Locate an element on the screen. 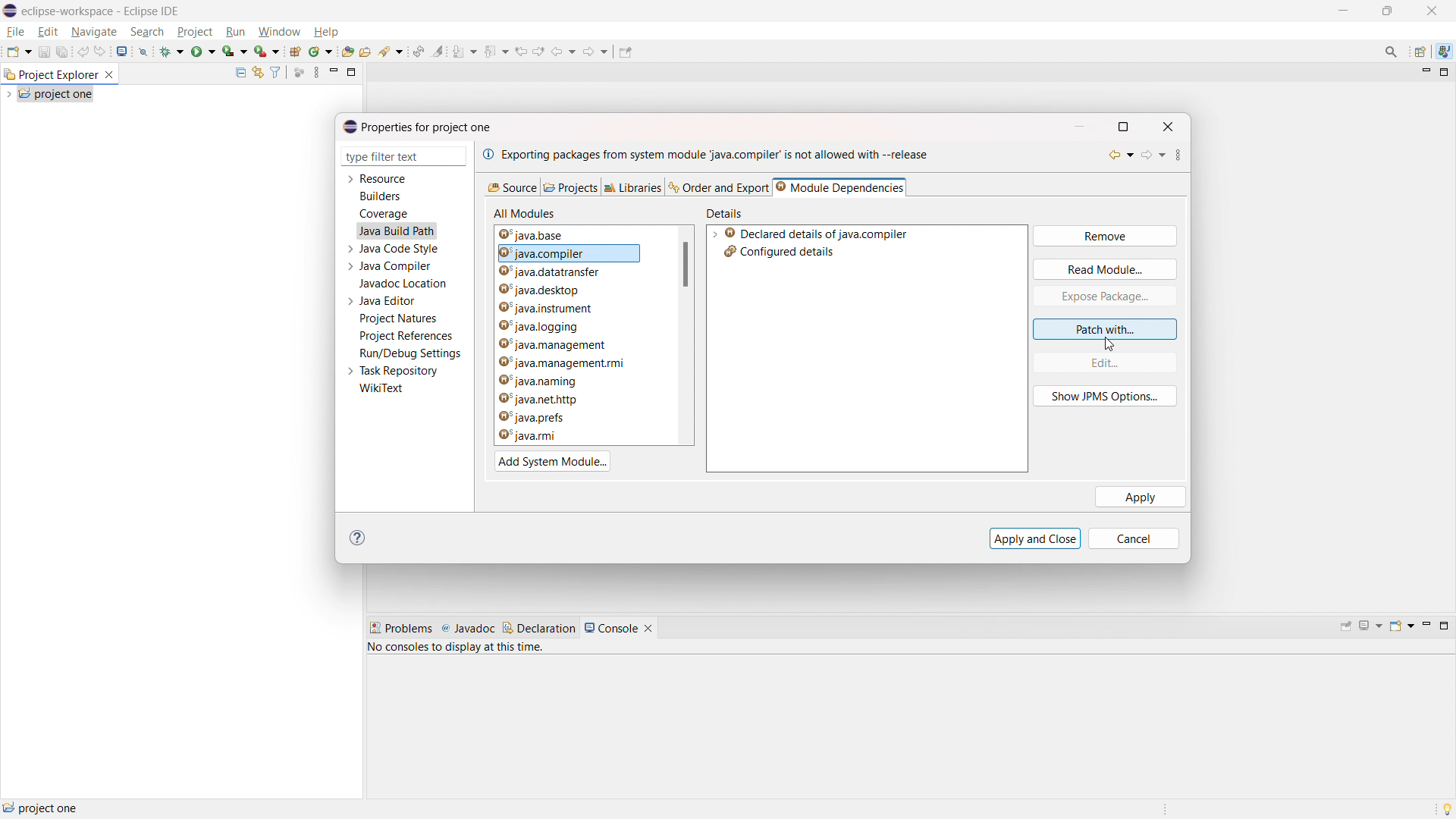 The width and height of the screenshot is (1456, 819). expand task repository is located at coordinates (349, 372).